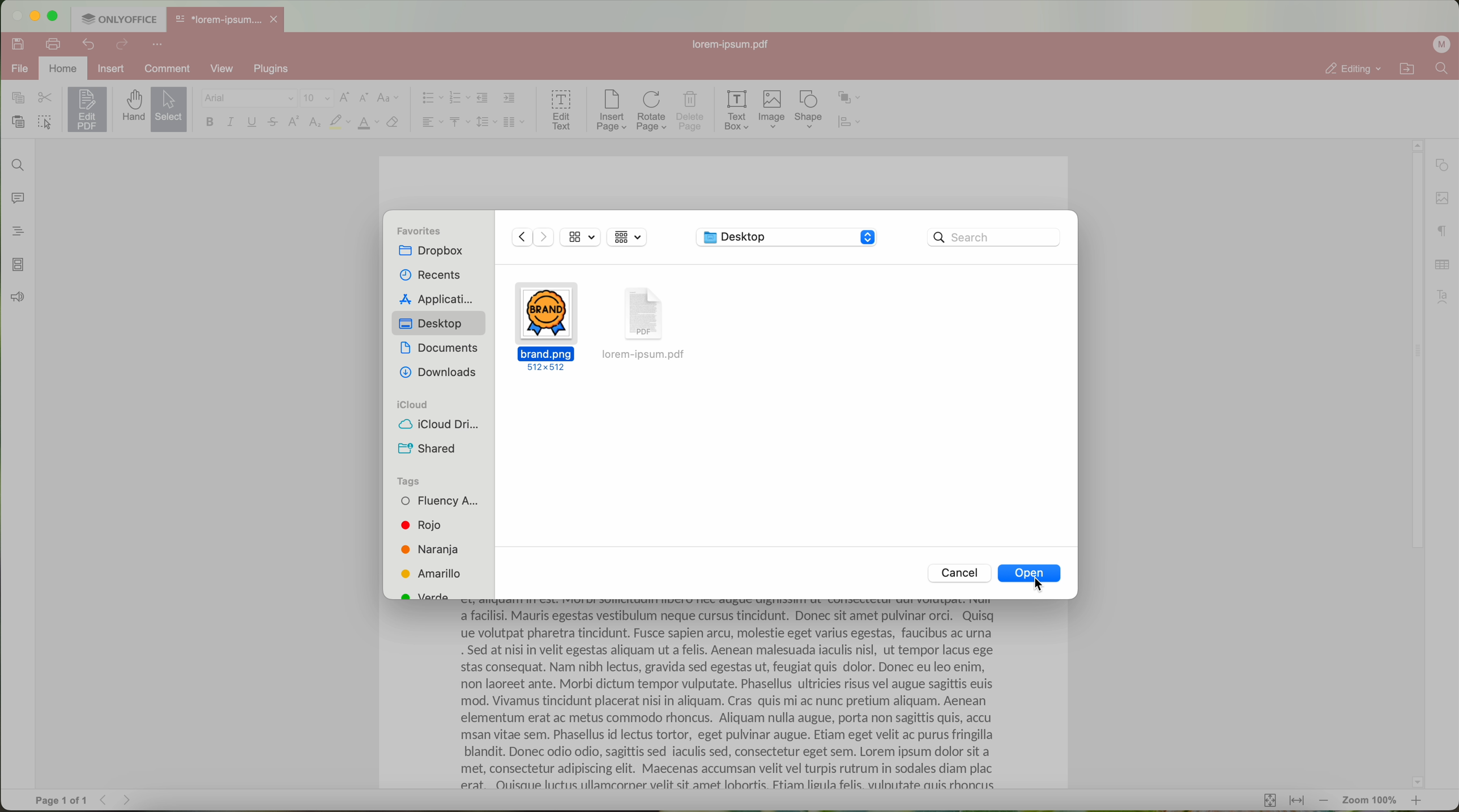  Describe the element at coordinates (63, 70) in the screenshot. I see `home` at that location.